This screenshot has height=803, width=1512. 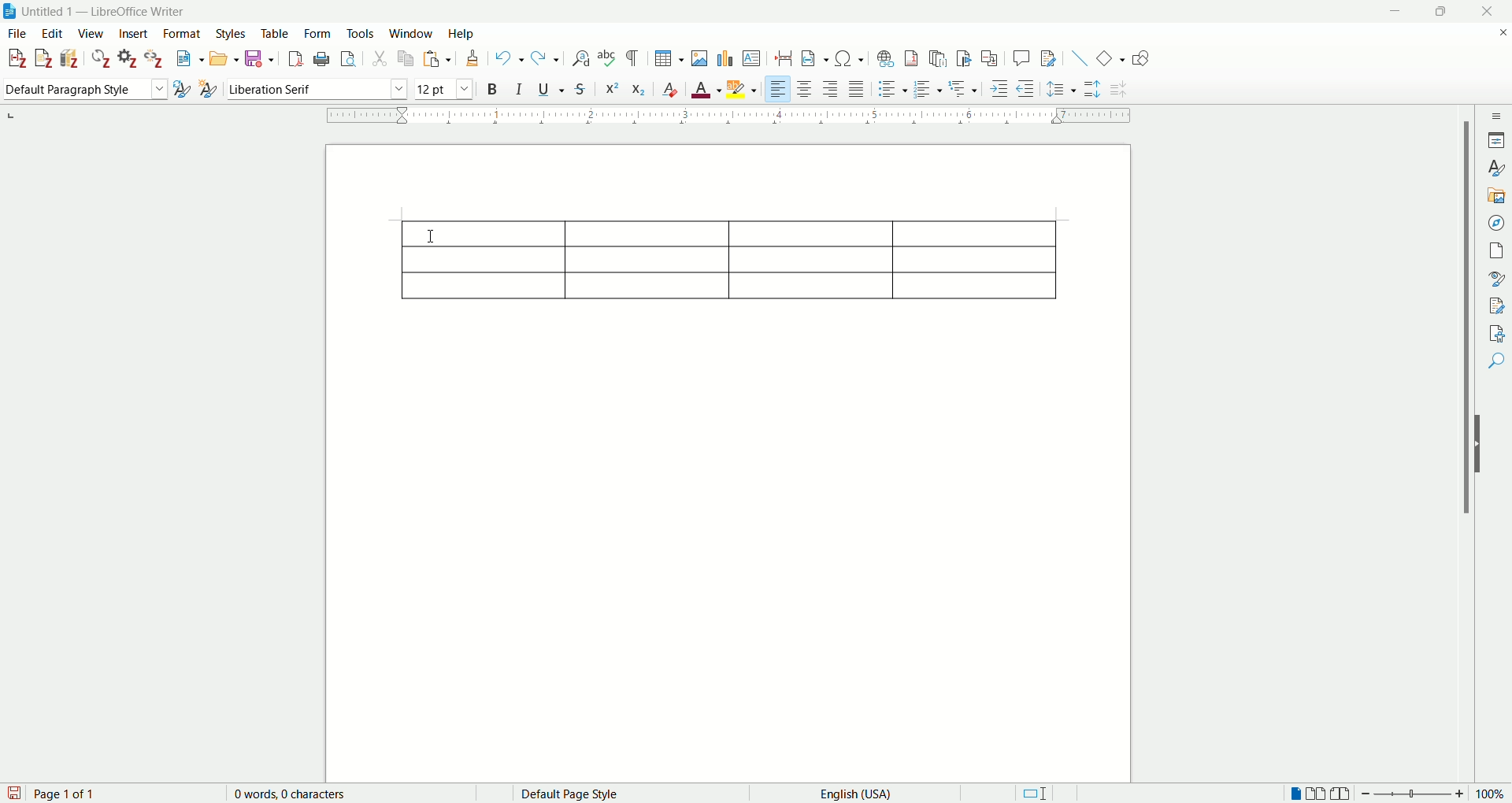 I want to click on logo, so click(x=9, y=10).